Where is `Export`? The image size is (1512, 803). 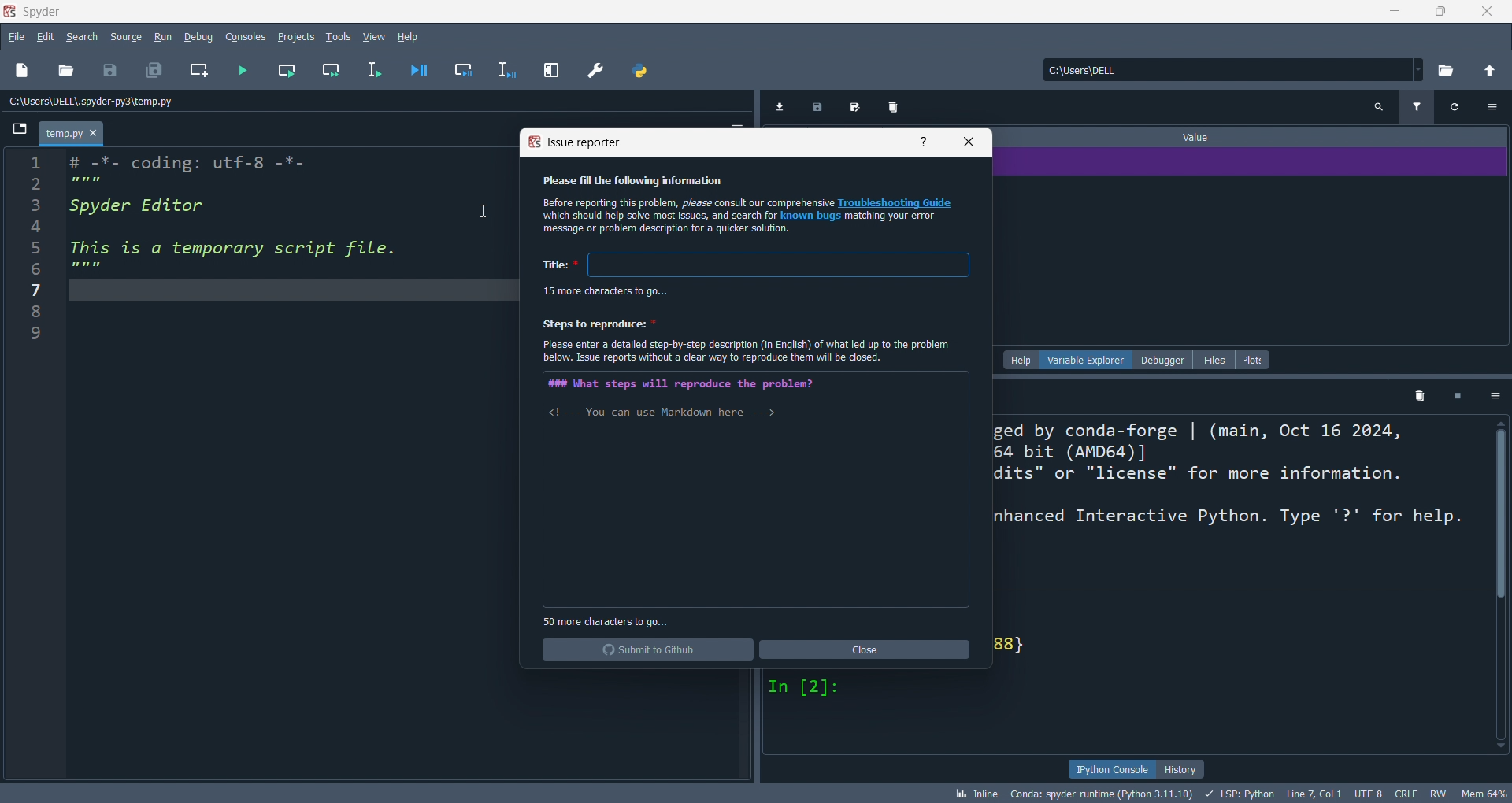 Export is located at coordinates (817, 108).